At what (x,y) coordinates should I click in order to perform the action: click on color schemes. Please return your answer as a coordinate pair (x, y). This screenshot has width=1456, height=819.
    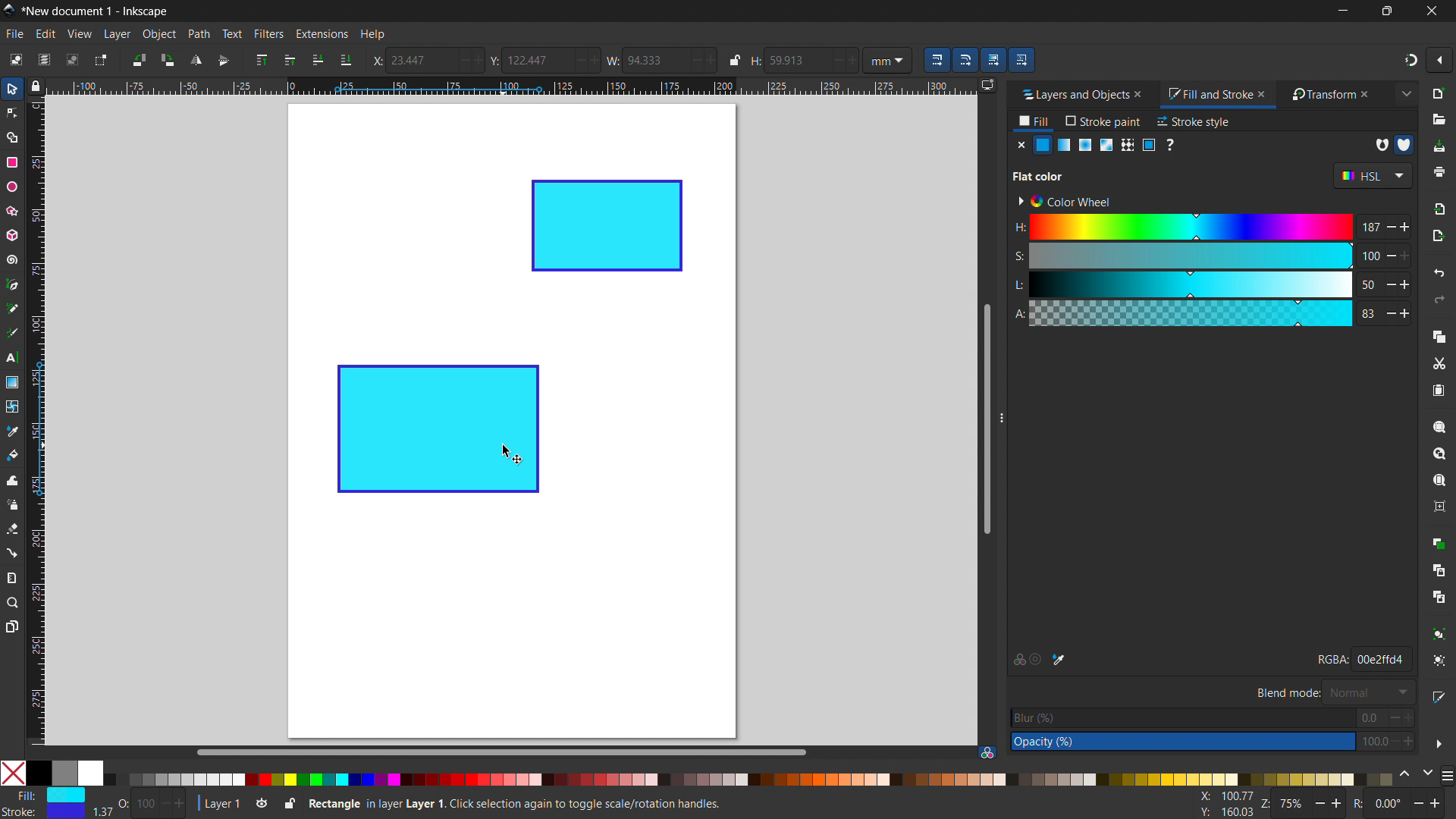
    Looking at the image, I should click on (1371, 176).